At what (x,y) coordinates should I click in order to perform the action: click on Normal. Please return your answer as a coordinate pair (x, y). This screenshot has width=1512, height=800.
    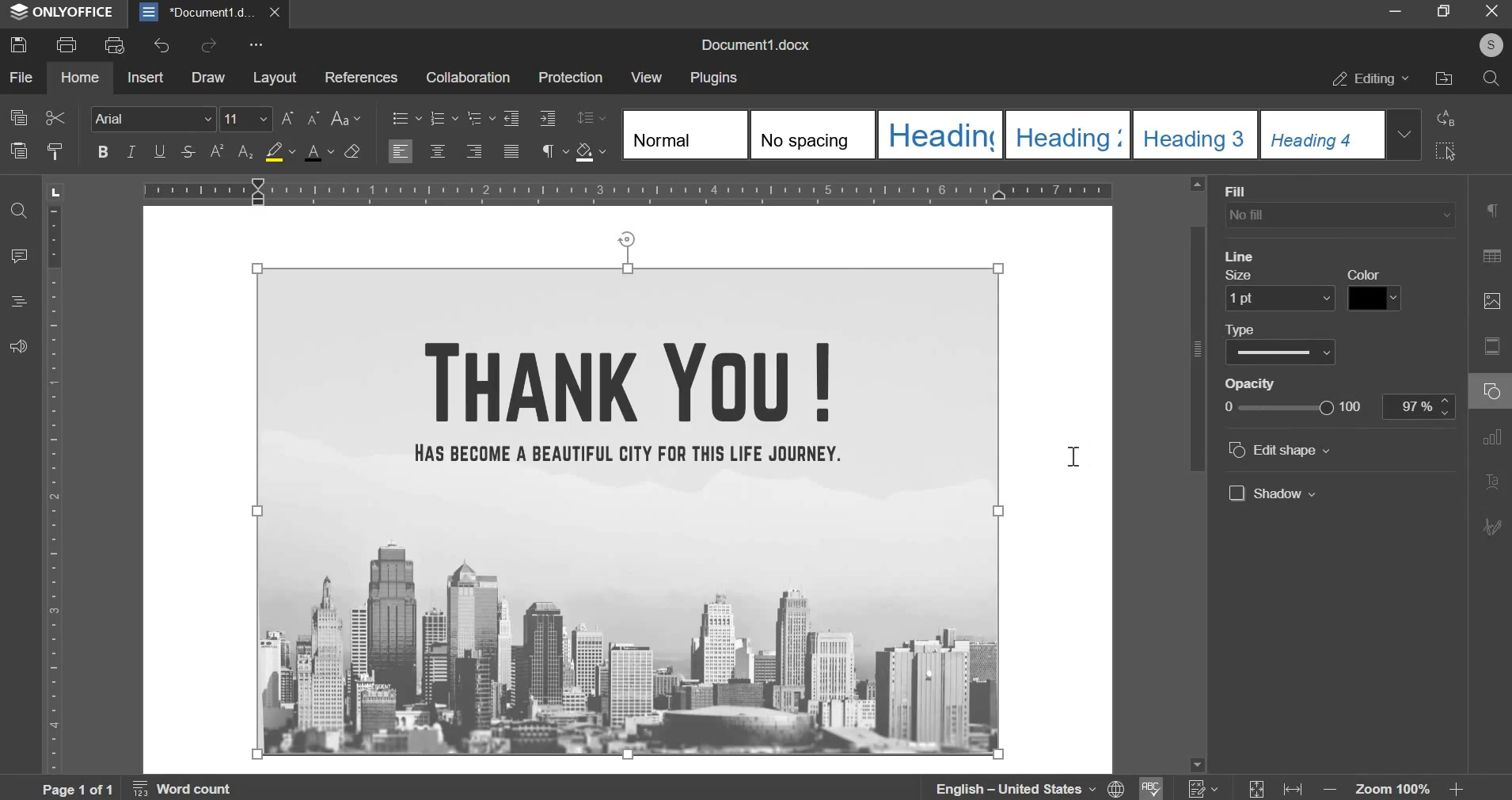
    Looking at the image, I should click on (682, 135).